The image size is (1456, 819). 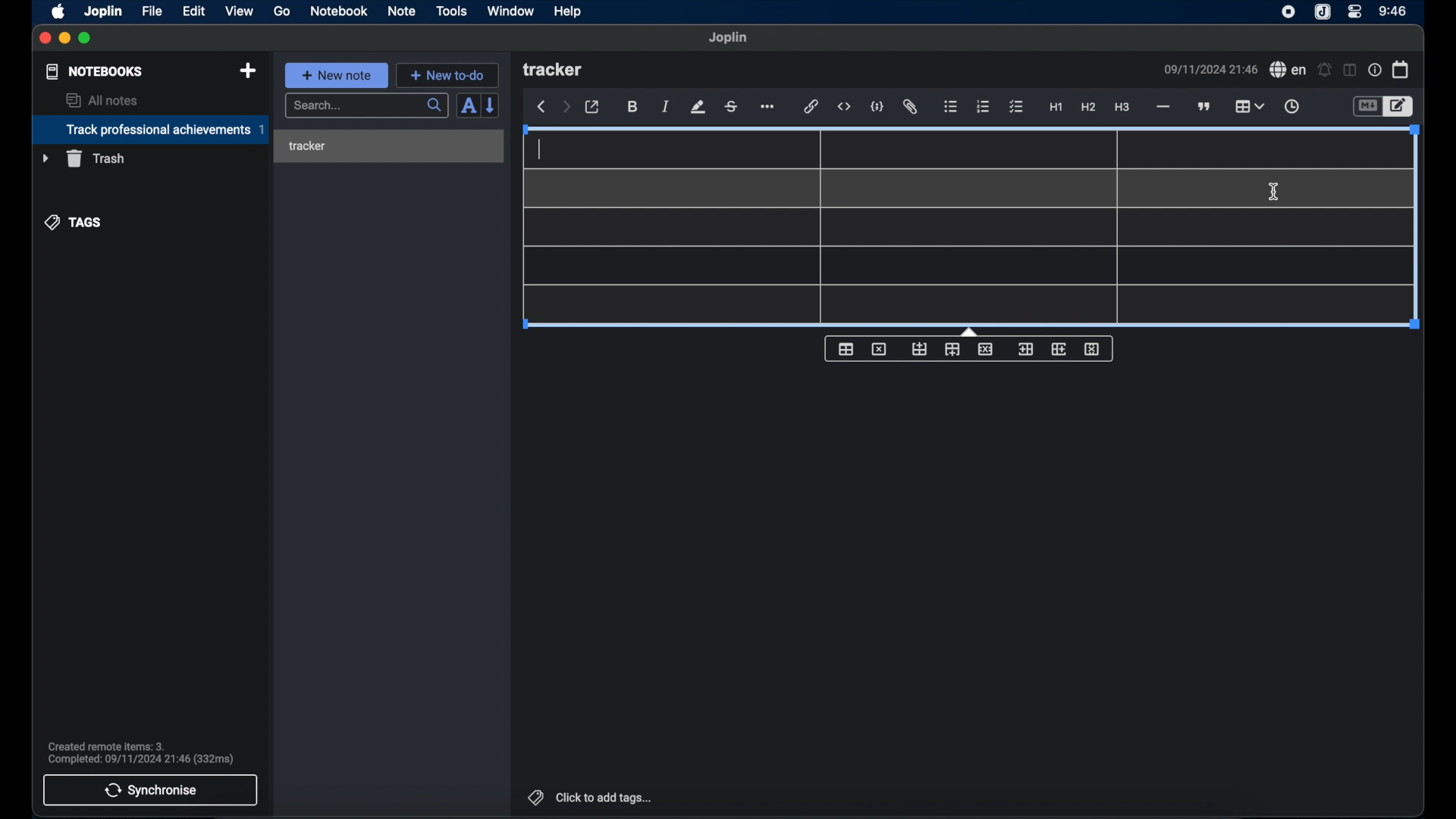 What do you see at coordinates (1056, 108) in the screenshot?
I see `heading 1` at bounding box center [1056, 108].